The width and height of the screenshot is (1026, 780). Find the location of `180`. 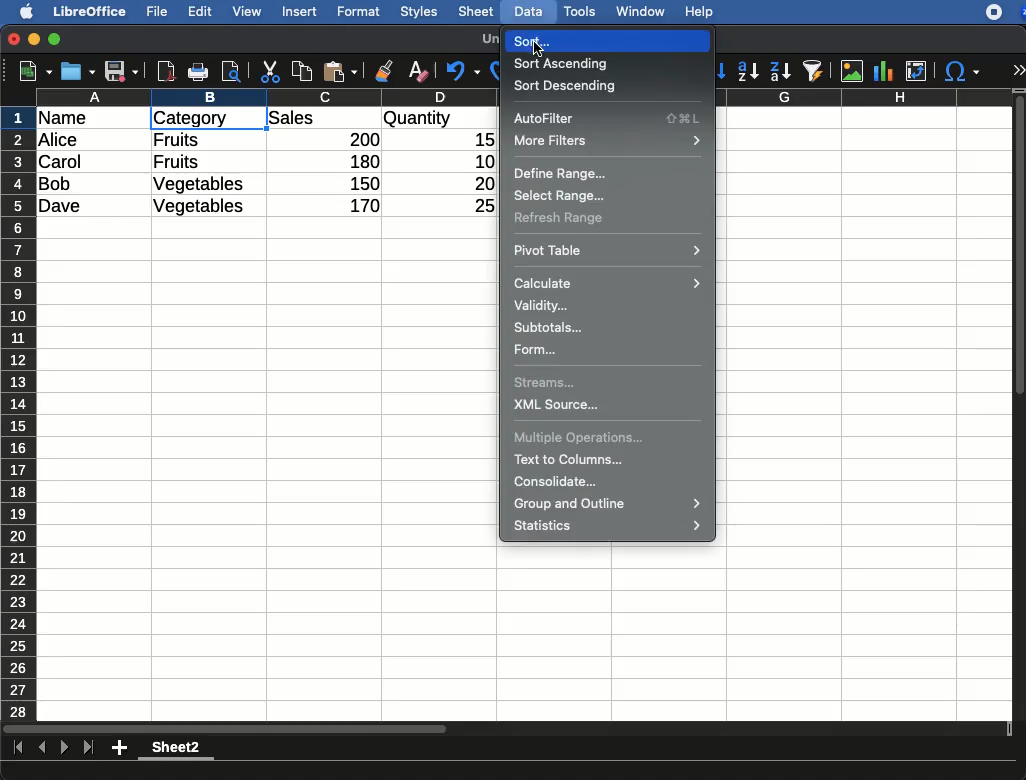

180 is located at coordinates (357, 162).